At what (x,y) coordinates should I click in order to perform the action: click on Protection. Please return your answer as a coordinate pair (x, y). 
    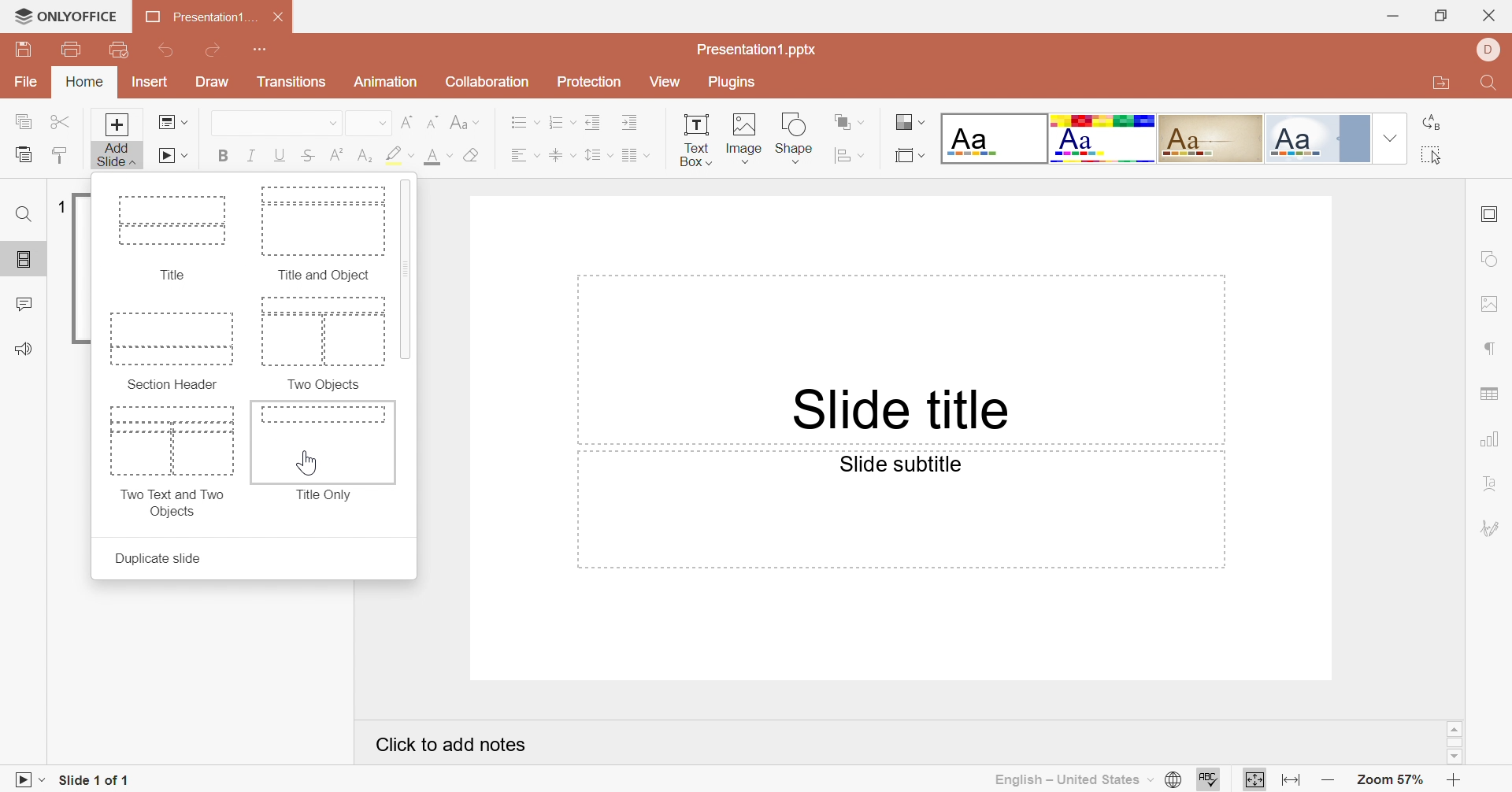
    Looking at the image, I should click on (589, 82).